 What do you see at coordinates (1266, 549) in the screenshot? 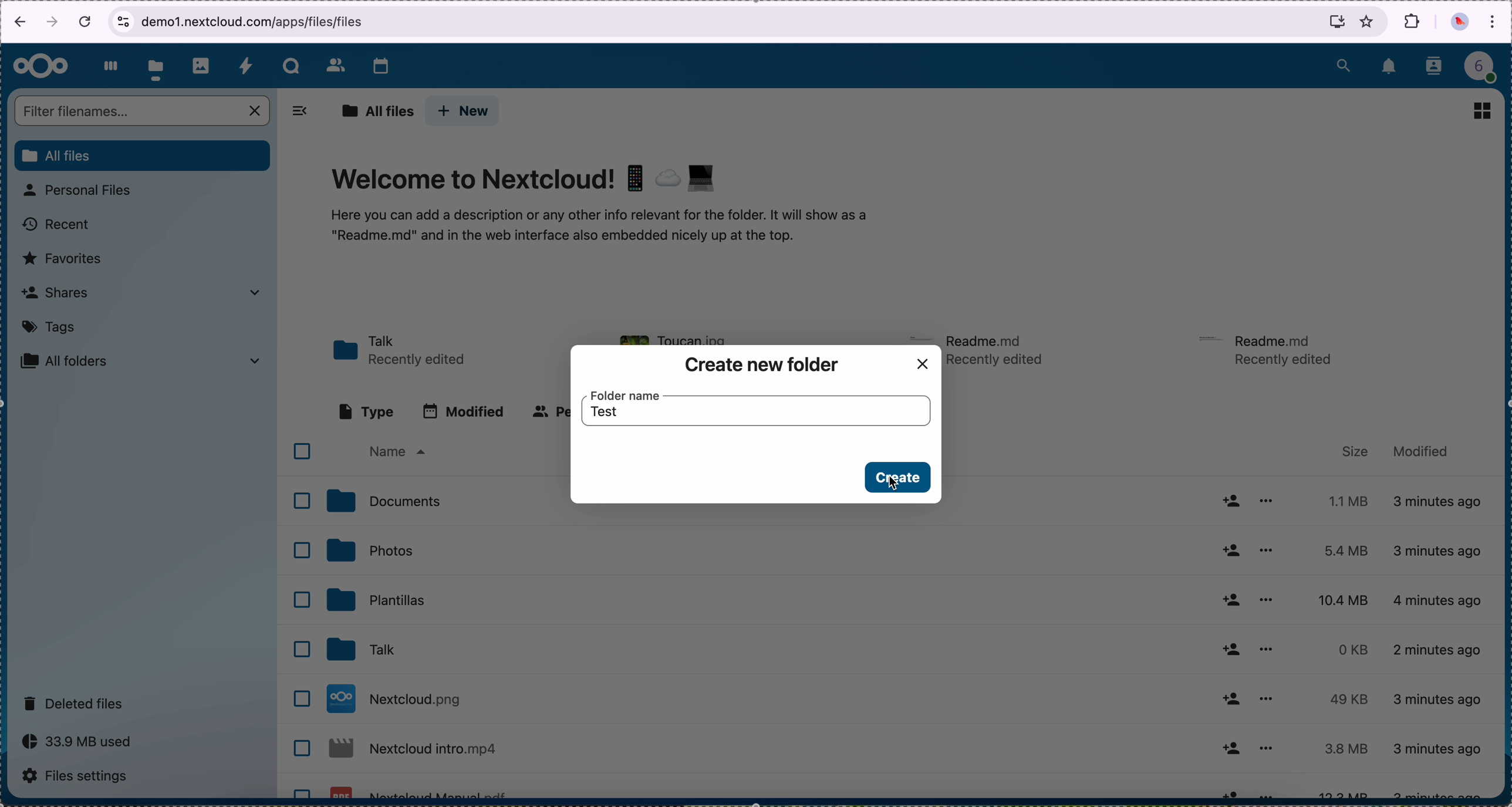
I see `more options` at bounding box center [1266, 549].